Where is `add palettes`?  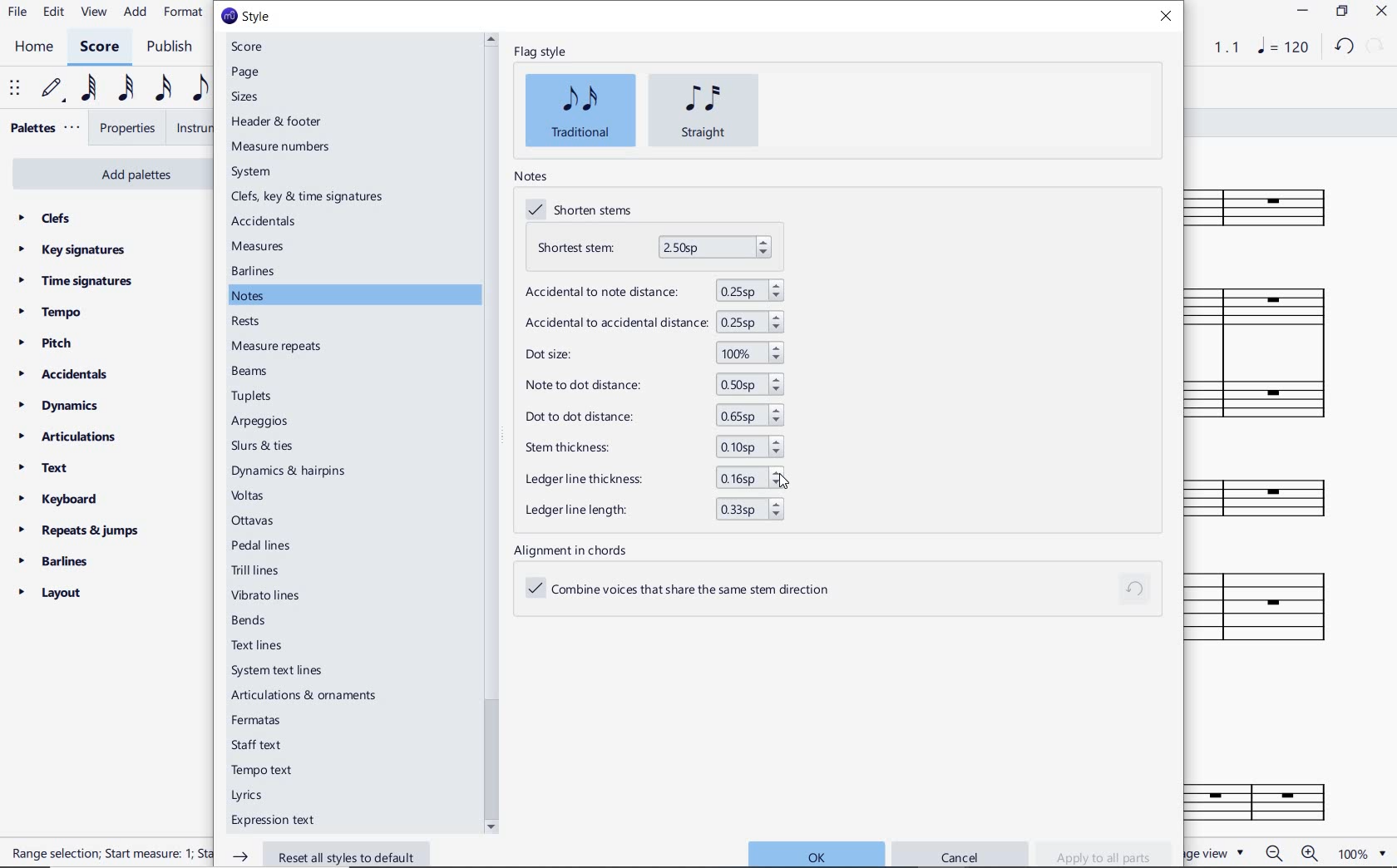
add palettes is located at coordinates (107, 172).